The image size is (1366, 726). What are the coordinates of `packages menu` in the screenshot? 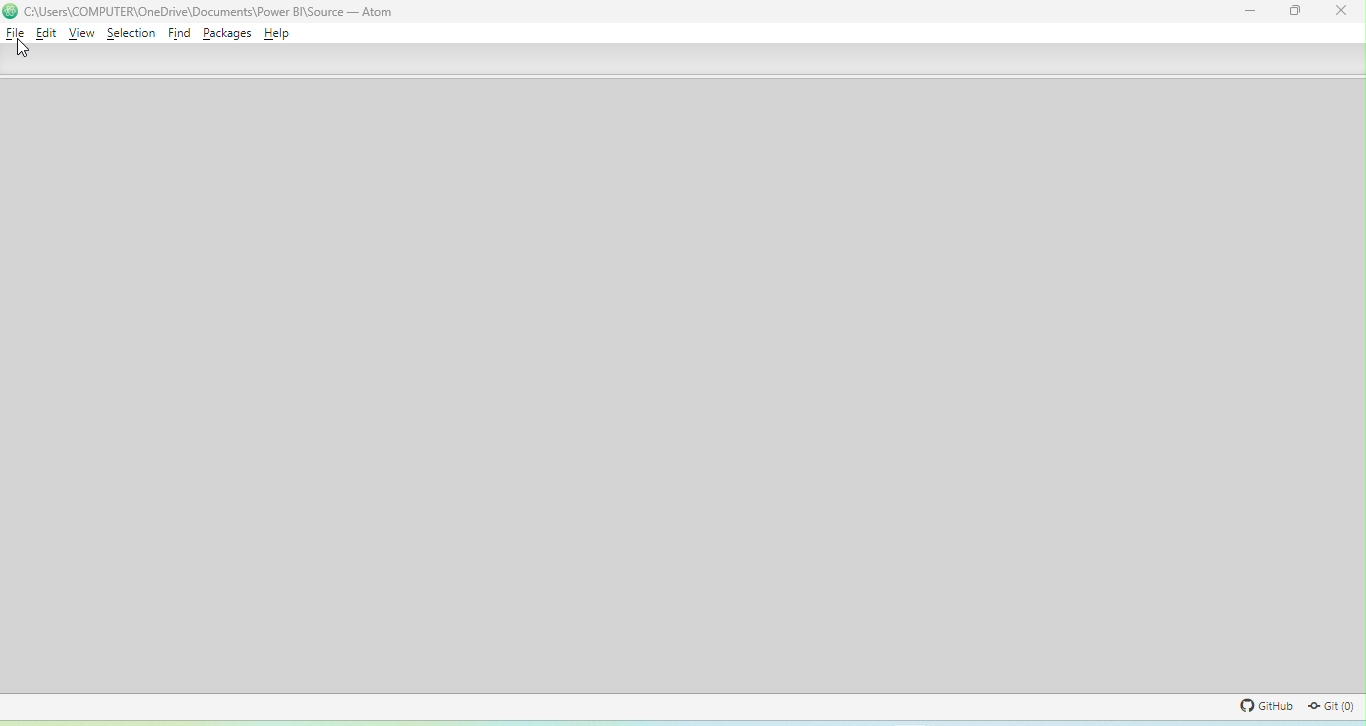 It's located at (227, 33).